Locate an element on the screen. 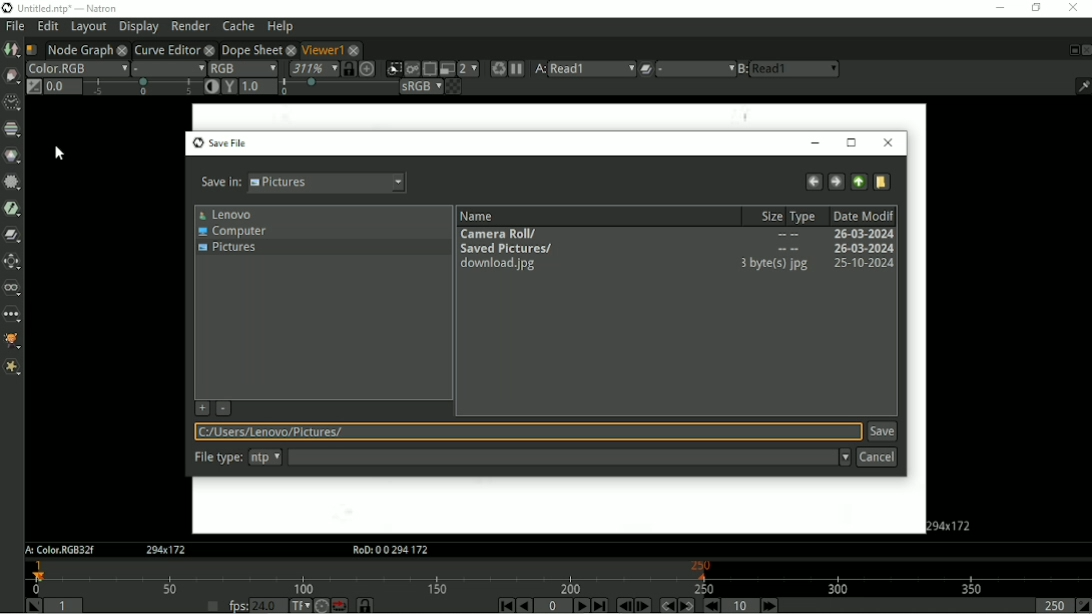 The image size is (1092, 614). Minimize is located at coordinates (817, 144).